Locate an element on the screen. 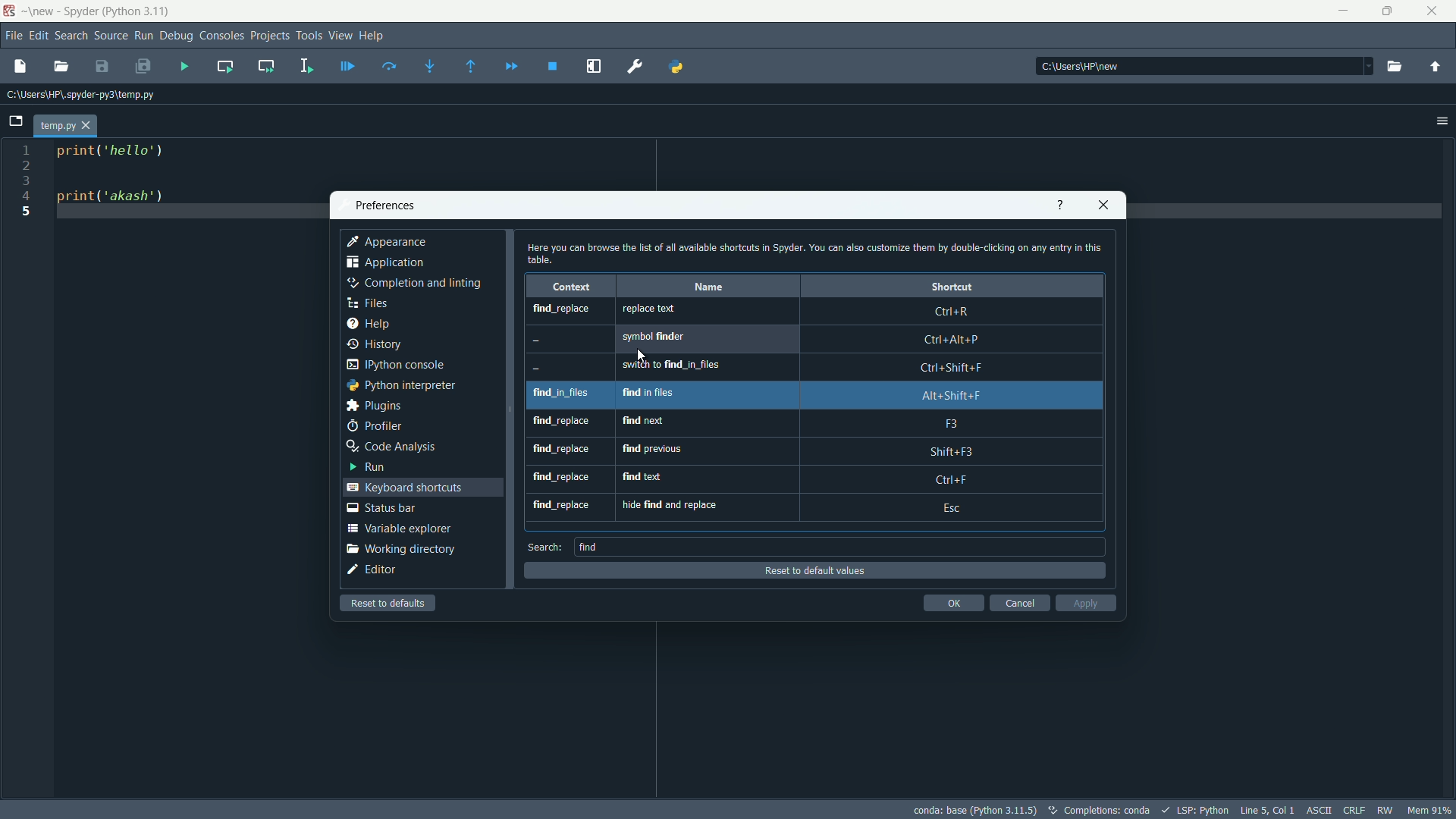 Image resolution: width=1456 pixels, height=819 pixels. run selection is located at coordinates (309, 67).